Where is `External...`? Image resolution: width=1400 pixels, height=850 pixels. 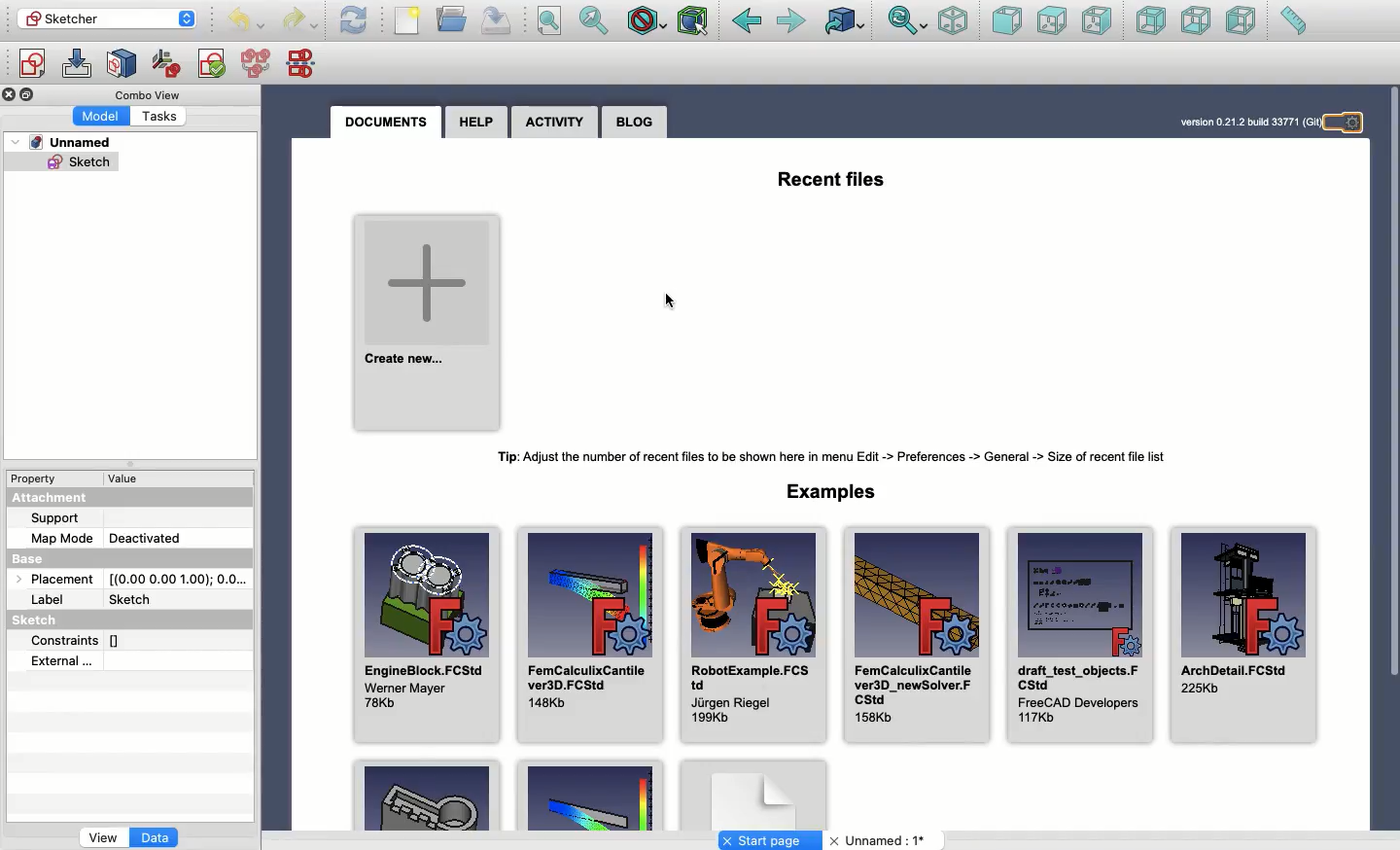 External... is located at coordinates (114, 662).